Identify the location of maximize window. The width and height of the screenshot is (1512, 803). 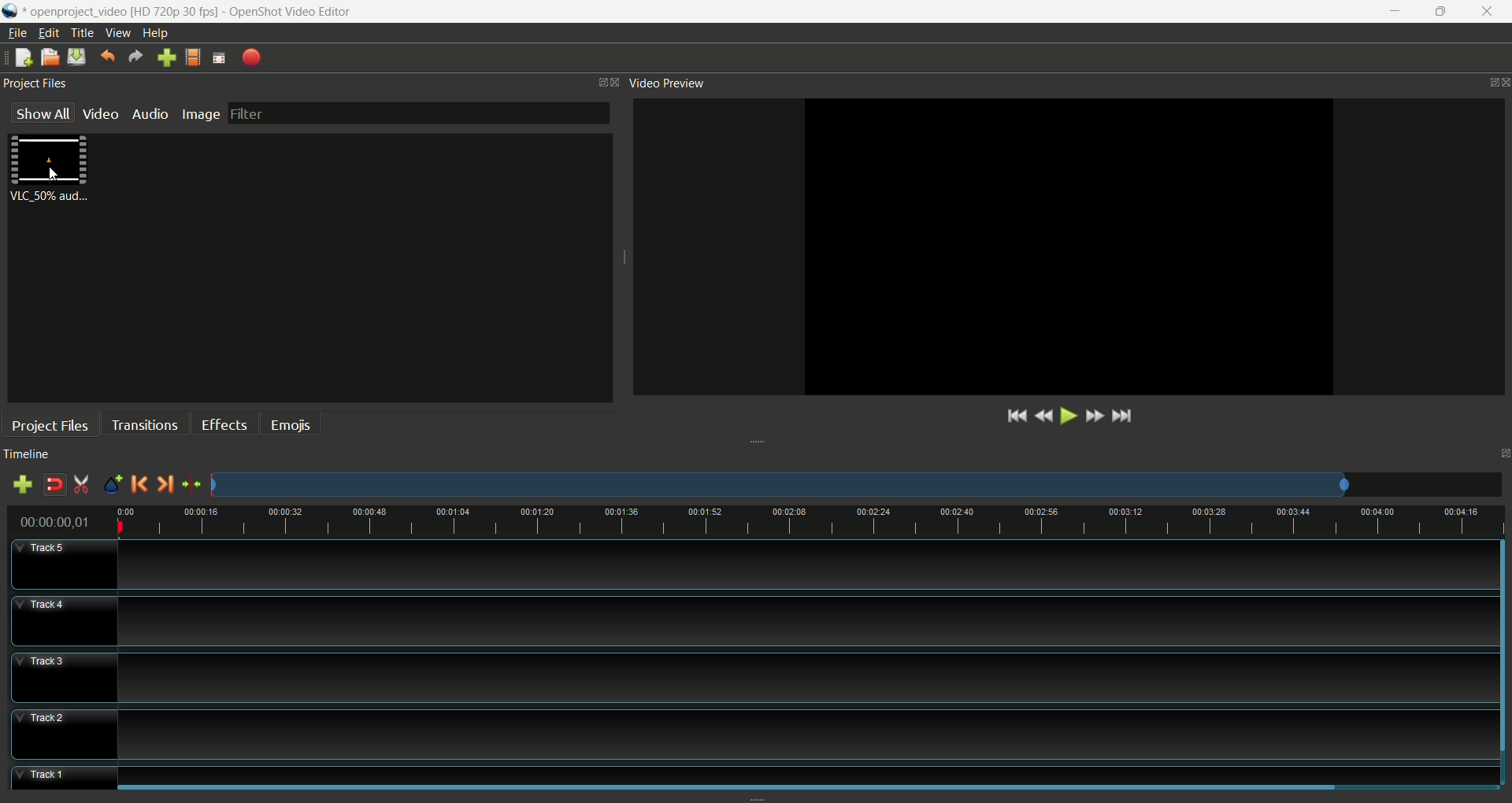
(599, 83).